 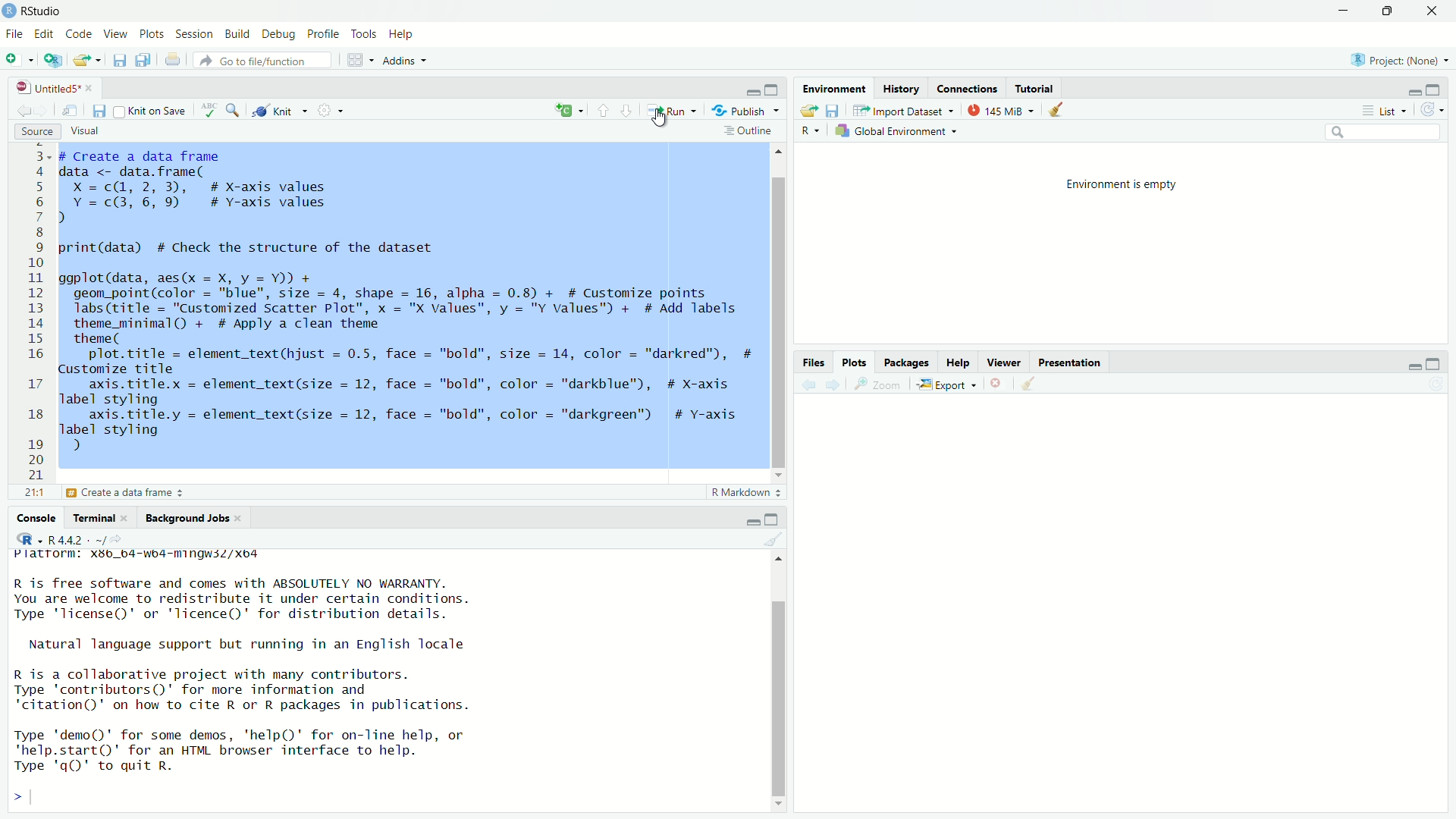 What do you see at coordinates (904, 111) in the screenshot?
I see `Import dataset` at bounding box center [904, 111].